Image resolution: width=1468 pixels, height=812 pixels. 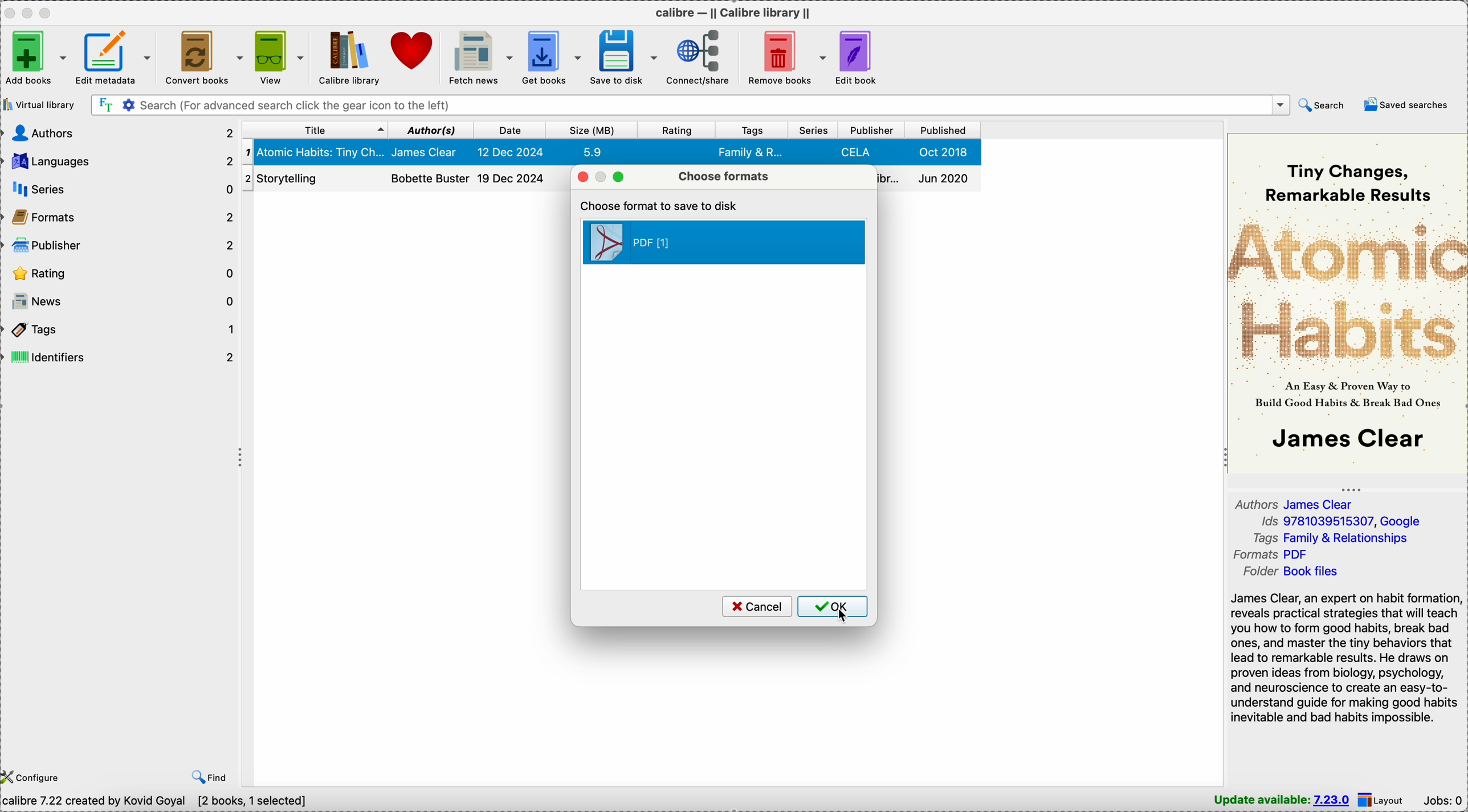 What do you see at coordinates (39, 104) in the screenshot?
I see `virtual library` at bounding box center [39, 104].